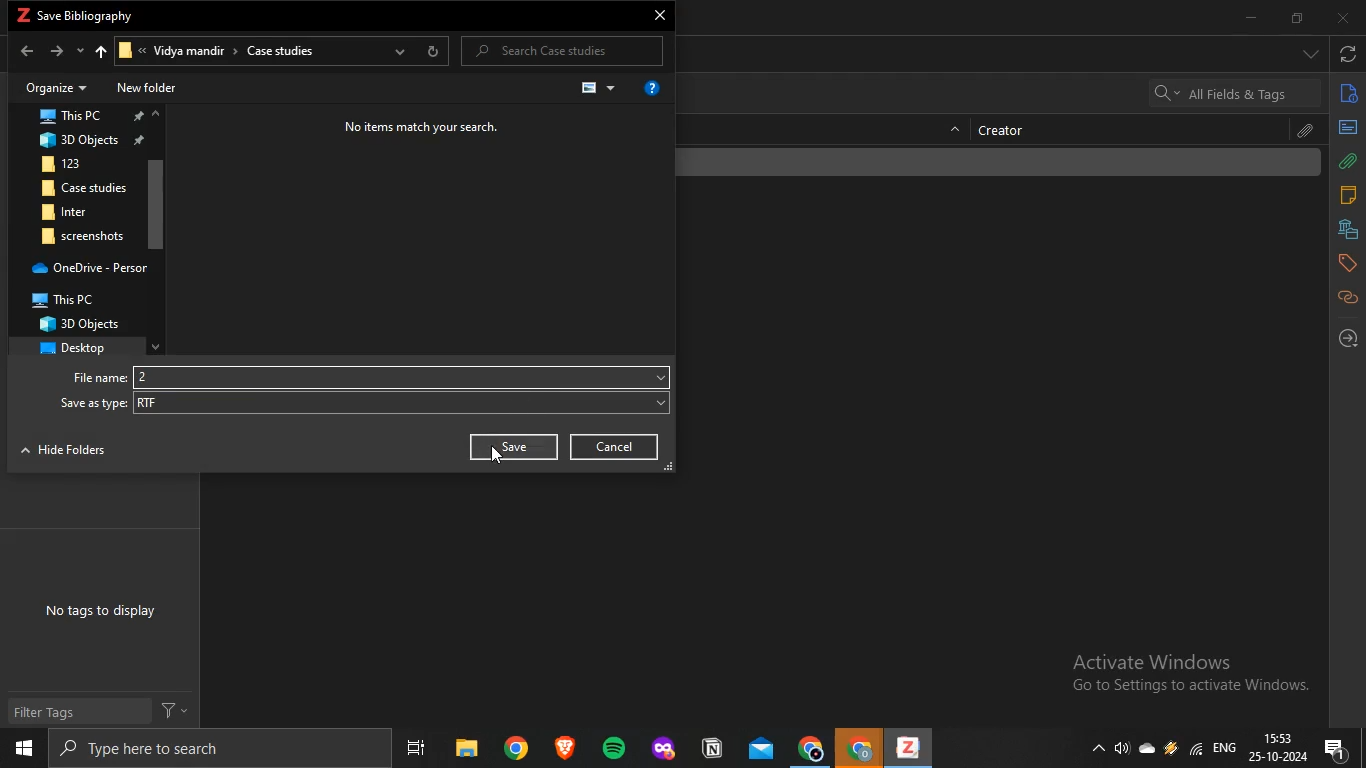 The width and height of the screenshot is (1366, 768). Describe the element at coordinates (154, 89) in the screenshot. I see `New folder` at that location.